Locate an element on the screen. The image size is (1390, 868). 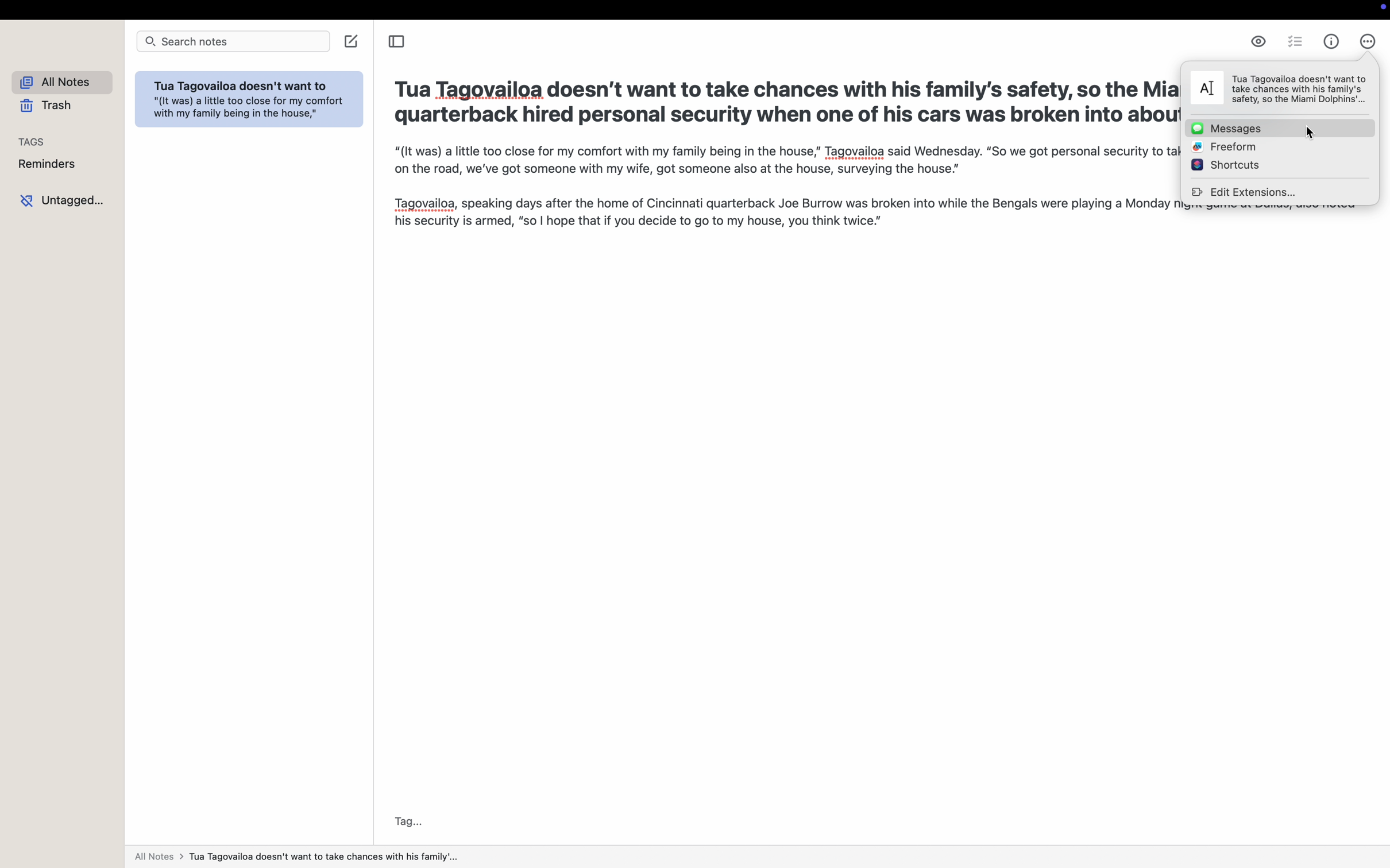
create note is located at coordinates (352, 41).